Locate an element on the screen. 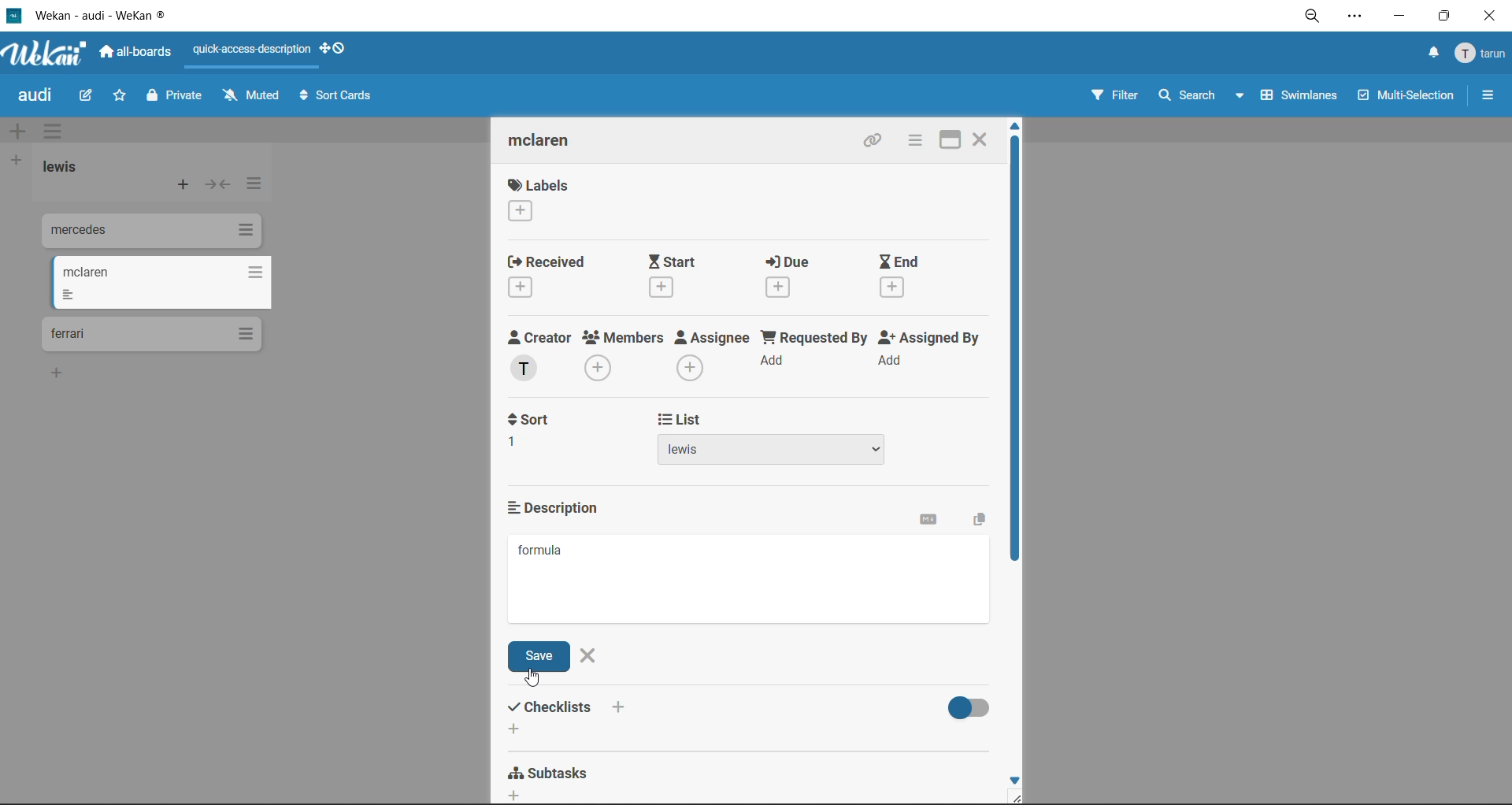 This screenshot has width=1512, height=805. assigned by is located at coordinates (935, 353).